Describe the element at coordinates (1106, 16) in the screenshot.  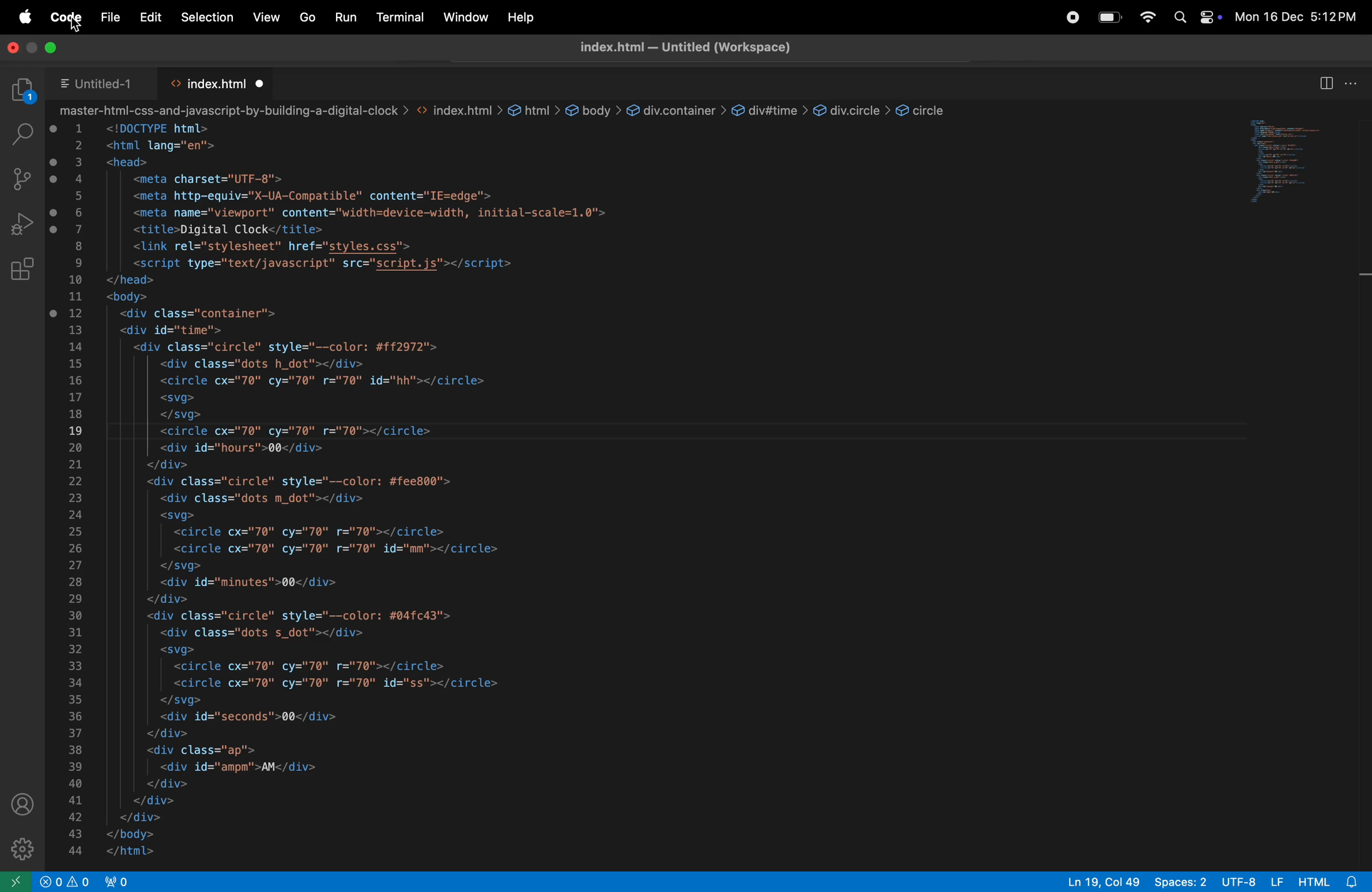
I see `battery` at that location.